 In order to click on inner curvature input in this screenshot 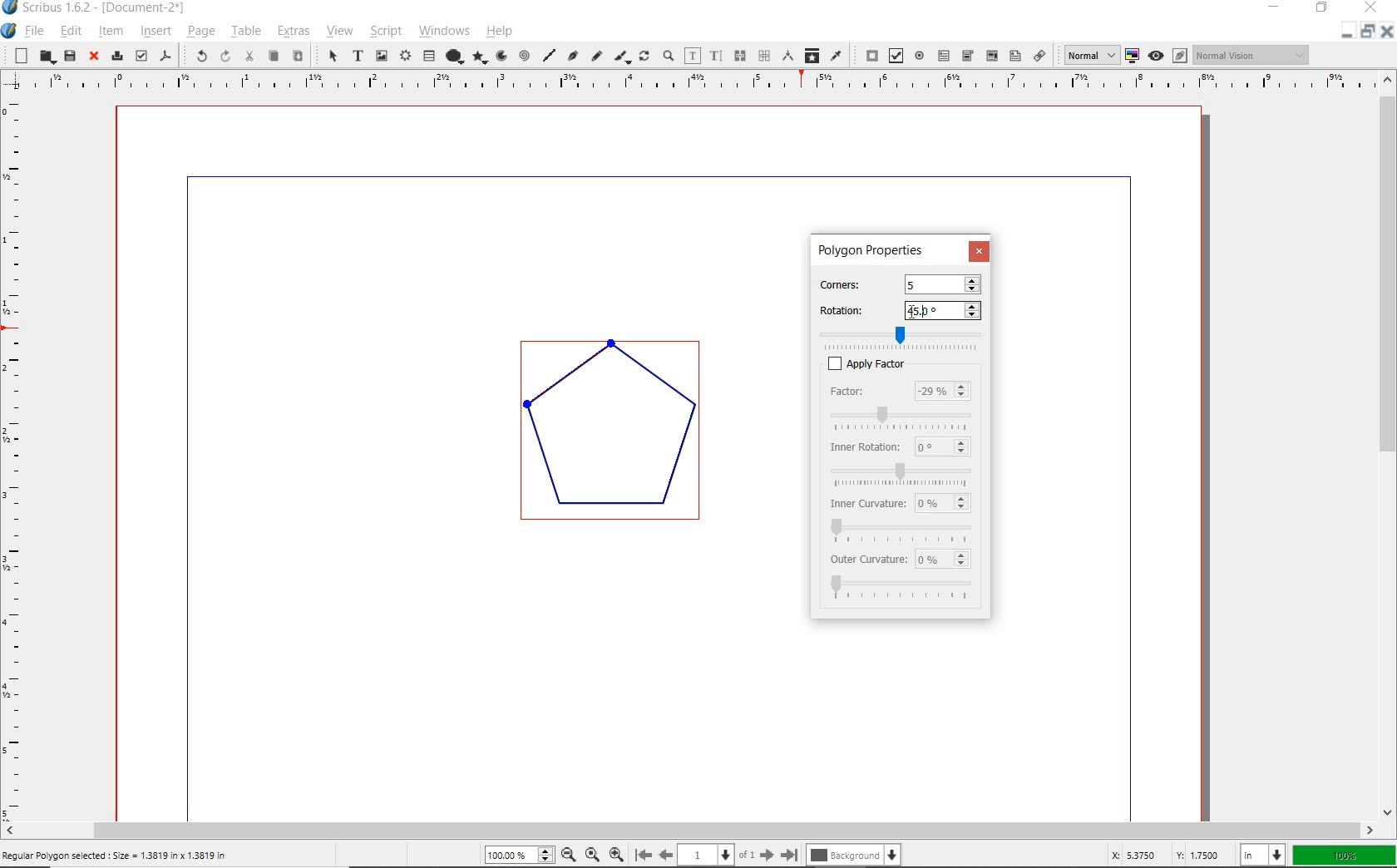, I will do `click(944, 501)`.